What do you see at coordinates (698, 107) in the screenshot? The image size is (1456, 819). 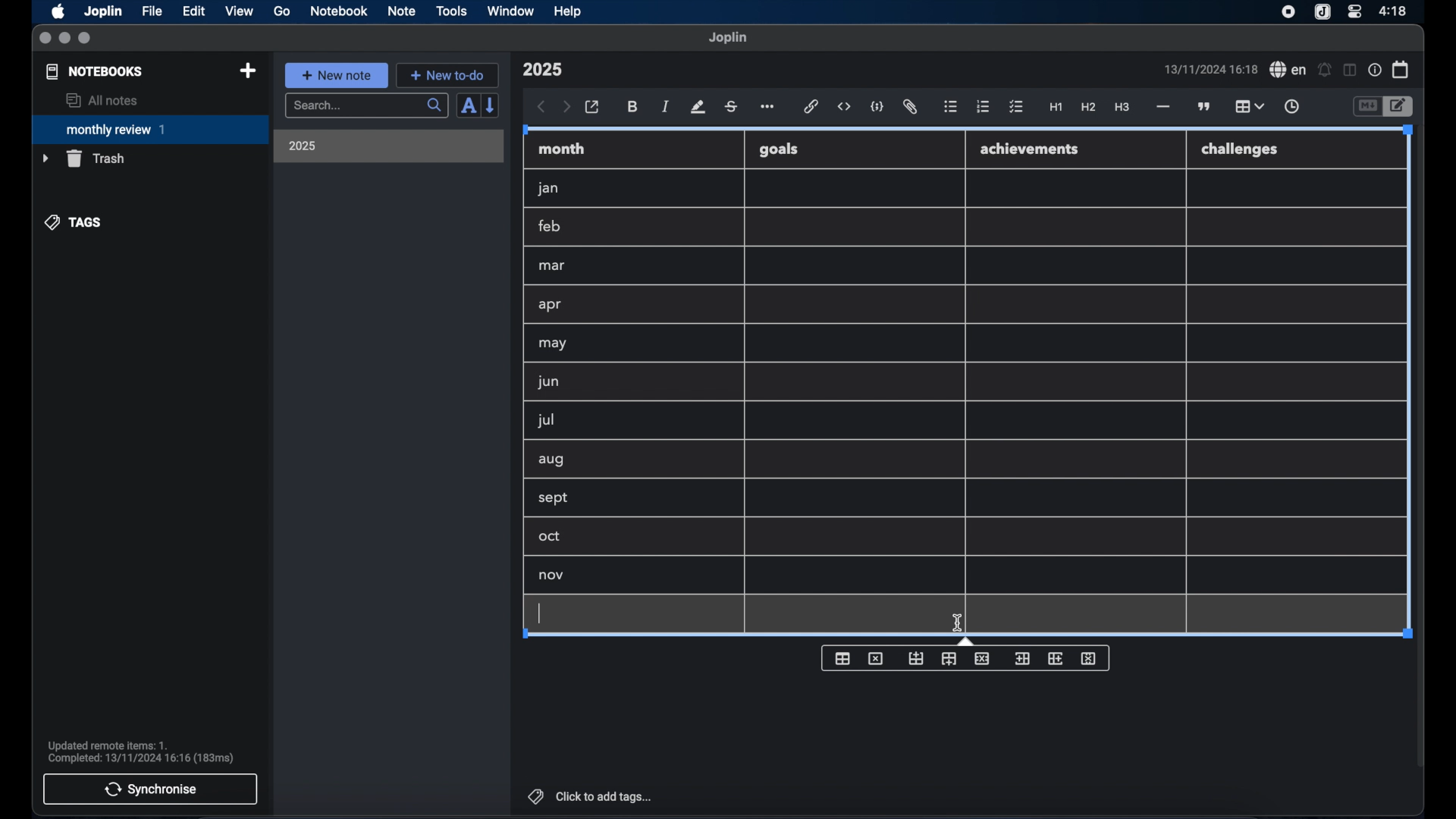 I see `highlight` at bounding box center [698, 107].